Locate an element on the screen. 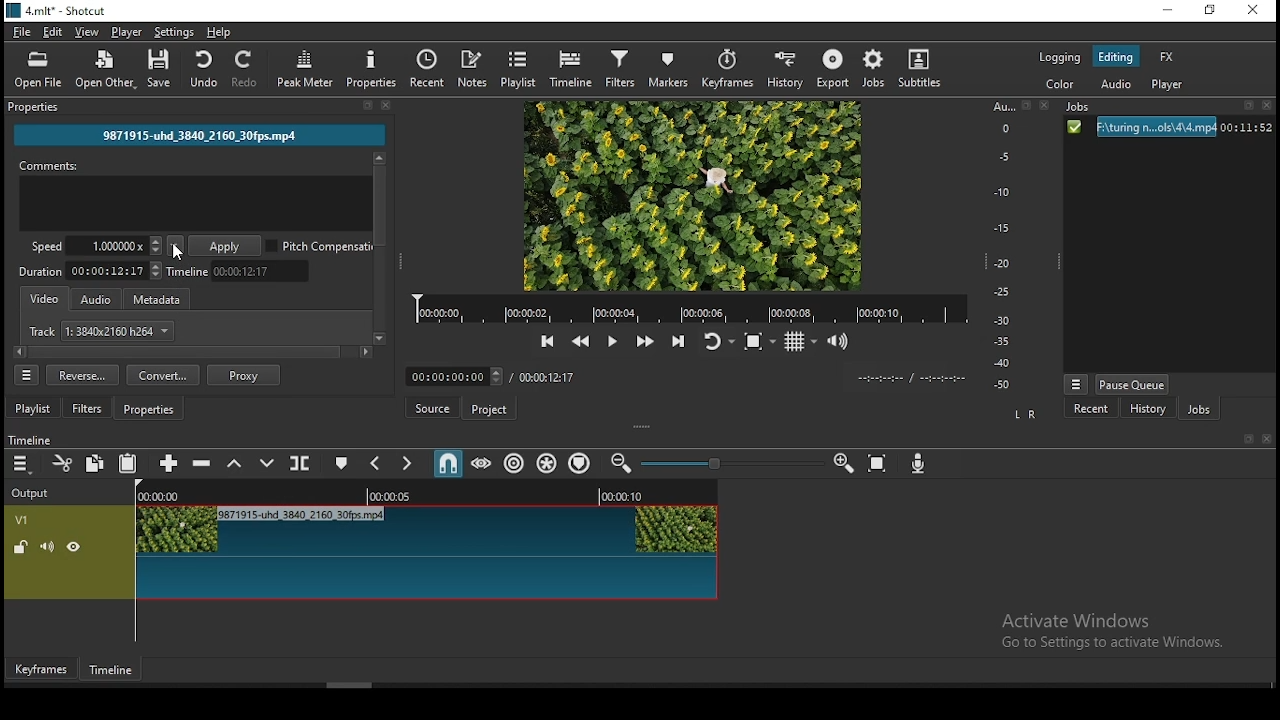 This screenshot has height=720, width=1280. keyframes is located at coordinates (42, 671).